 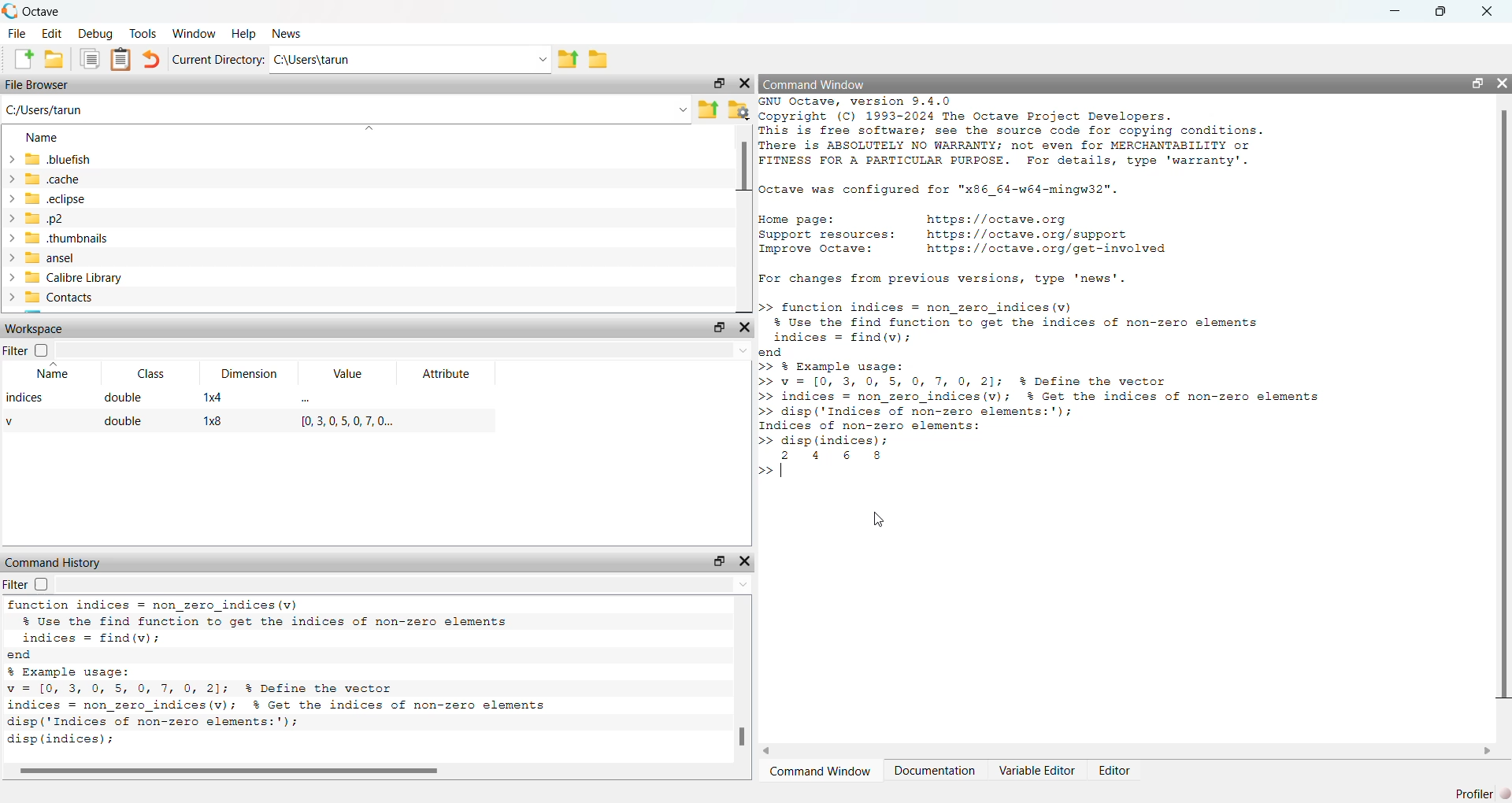 I want to click on cursor, so click(x=884, y=521).